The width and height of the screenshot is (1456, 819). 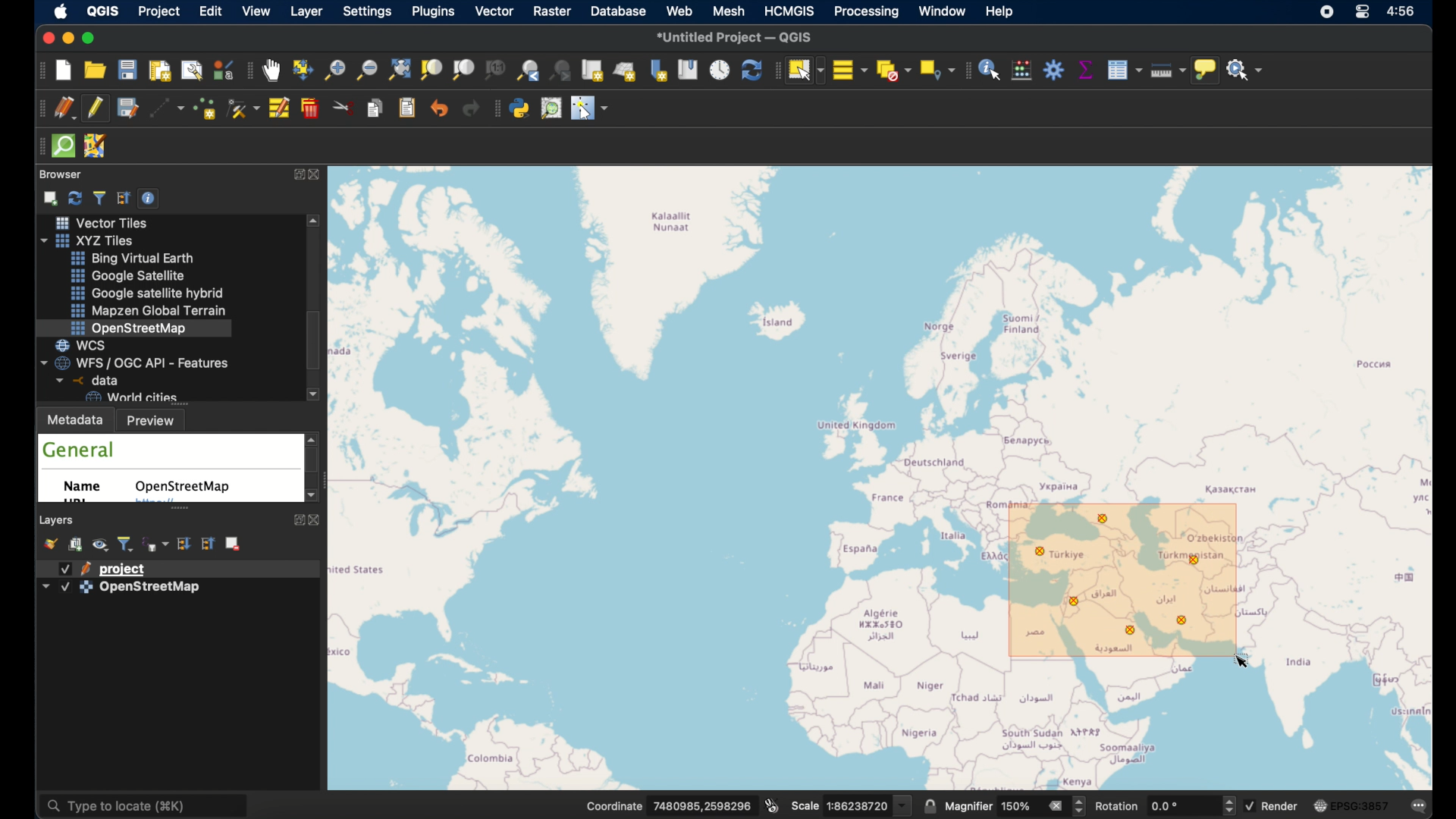 I want to click on untitled project - QGIS, so click(x=735, y=36).